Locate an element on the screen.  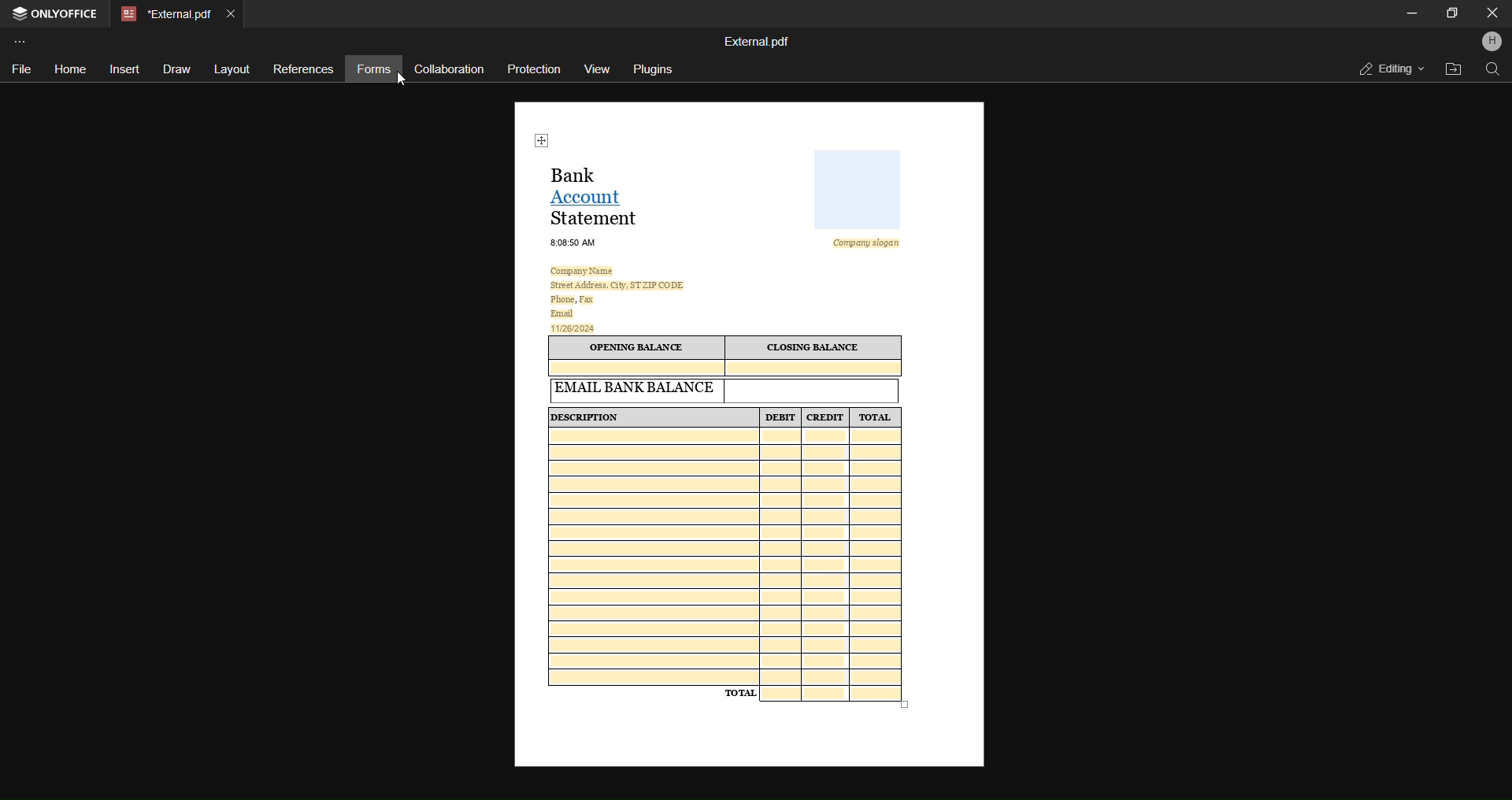
cursor is located at coordinates (409, 92).